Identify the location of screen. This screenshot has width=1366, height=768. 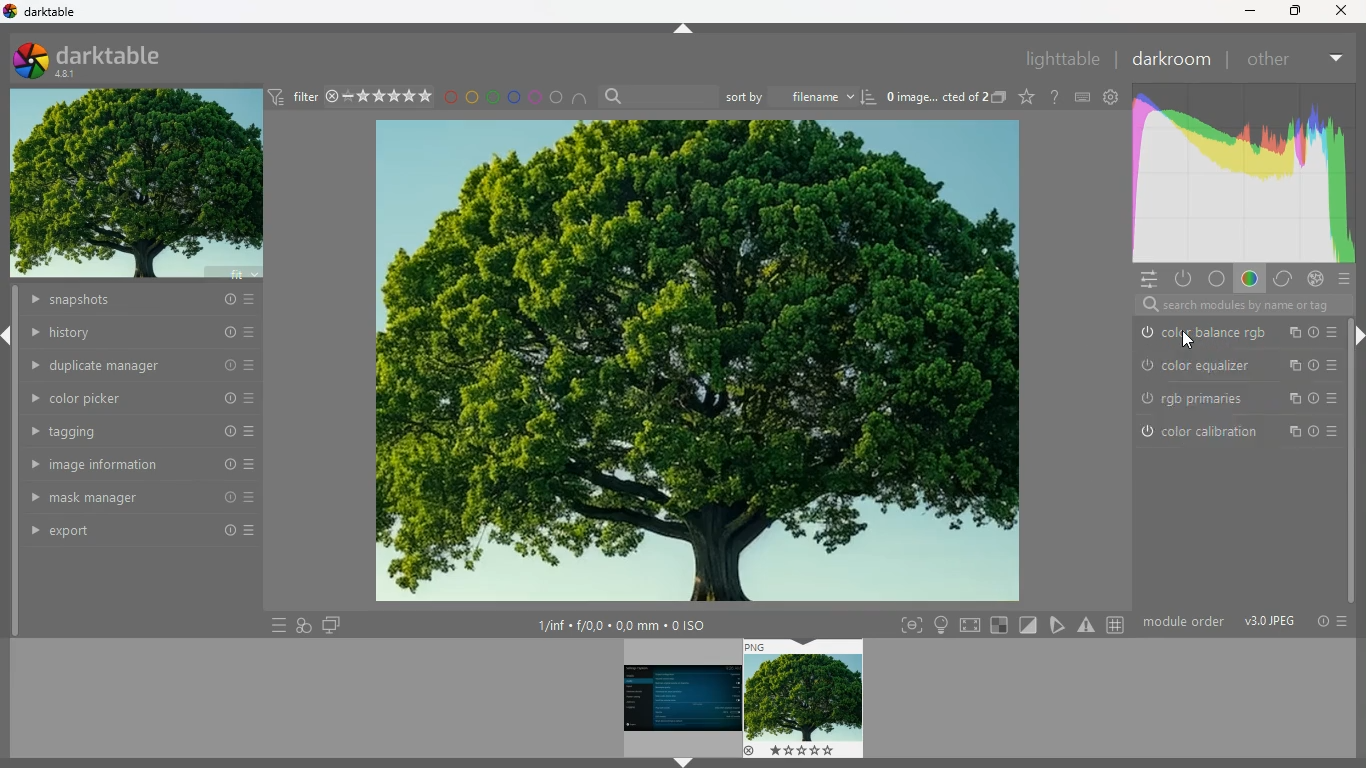
(972, 624).